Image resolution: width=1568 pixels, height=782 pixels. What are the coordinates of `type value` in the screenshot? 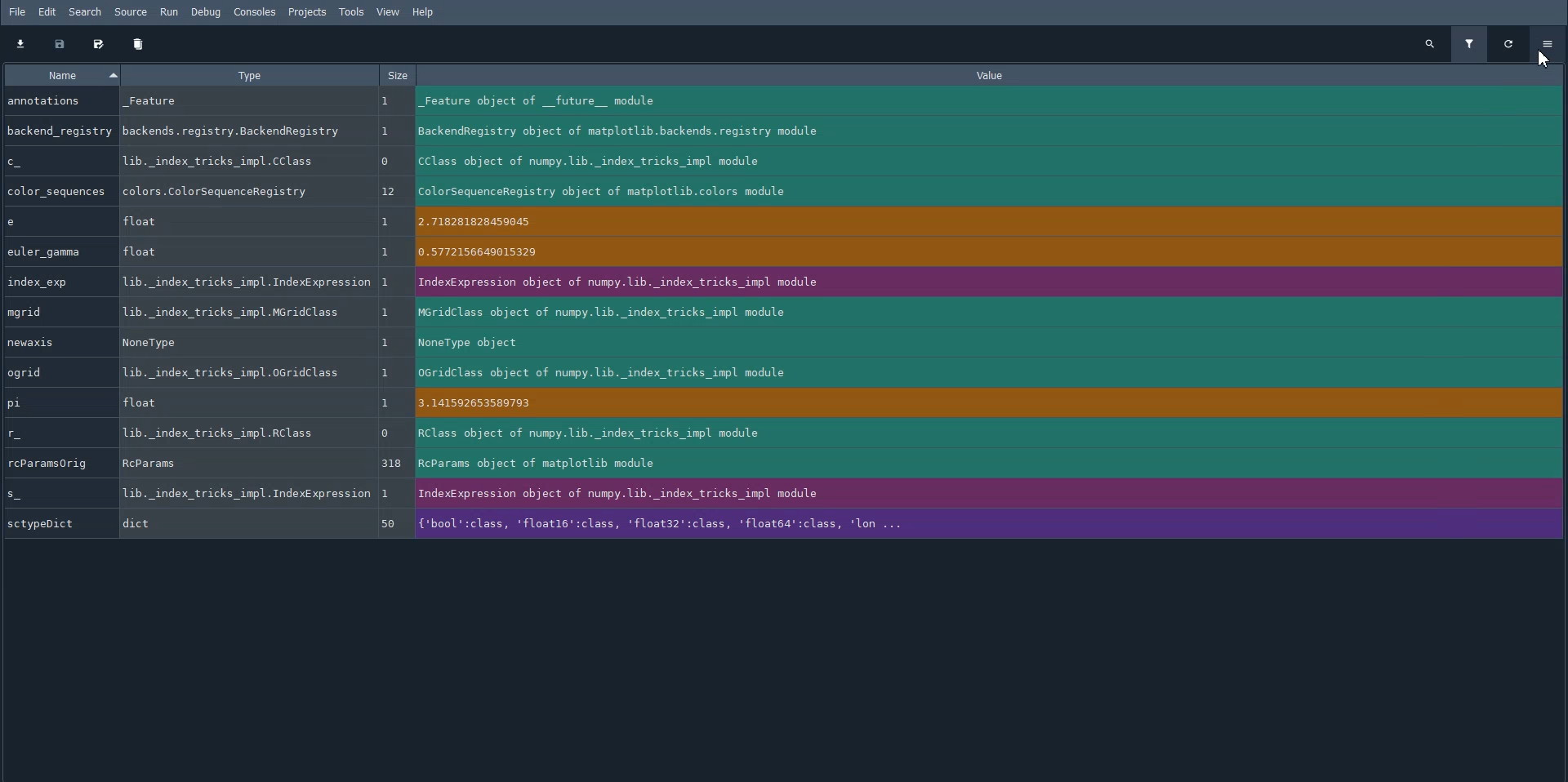 It's located at (229, 313).